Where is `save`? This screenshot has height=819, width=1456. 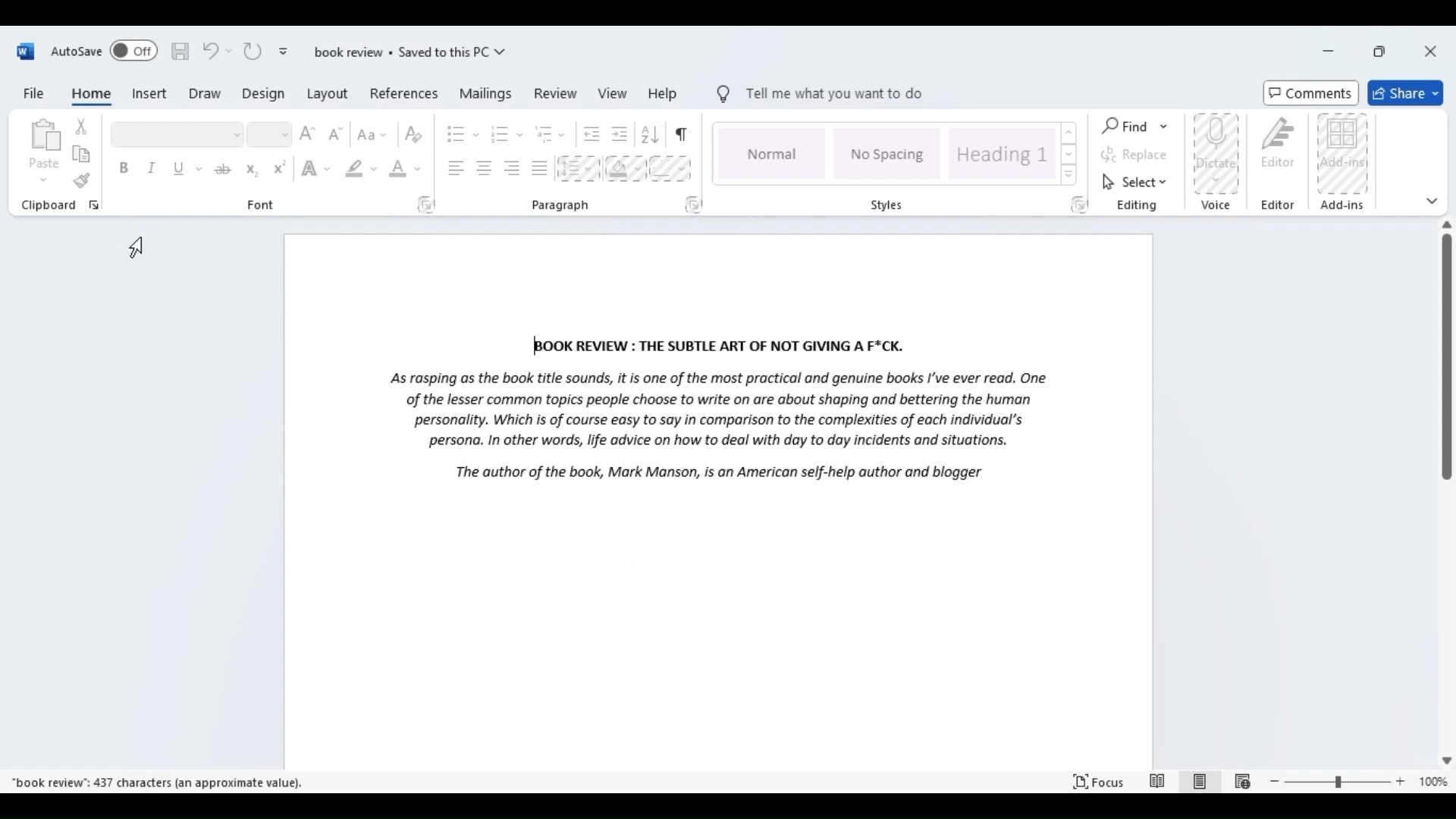 save is located at coordinates (180, 52).